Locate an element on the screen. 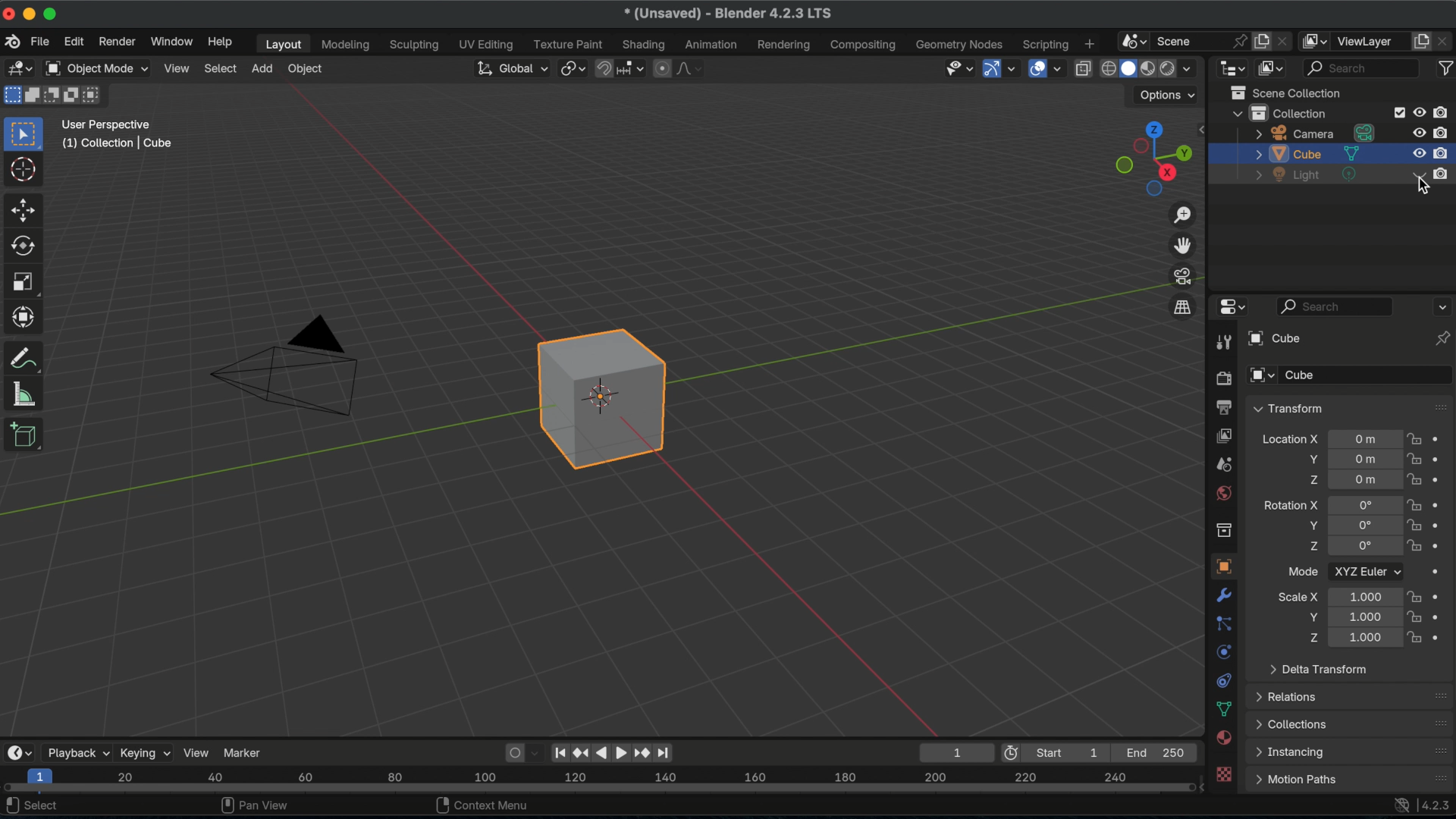  timeline is located at coordinates (601, 780).